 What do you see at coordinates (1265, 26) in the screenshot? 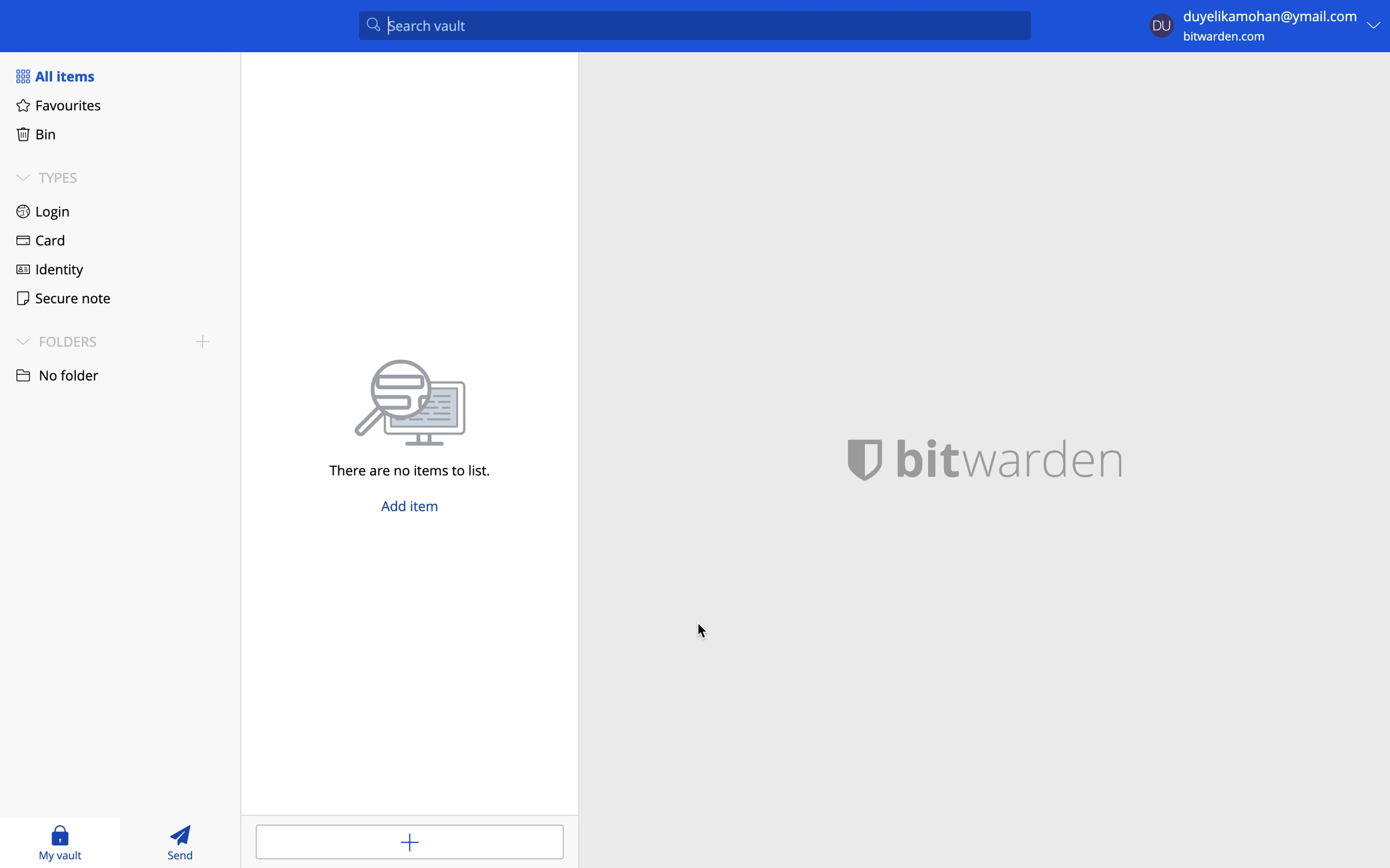
I see `account menu` at bounding box center [1265, 26].